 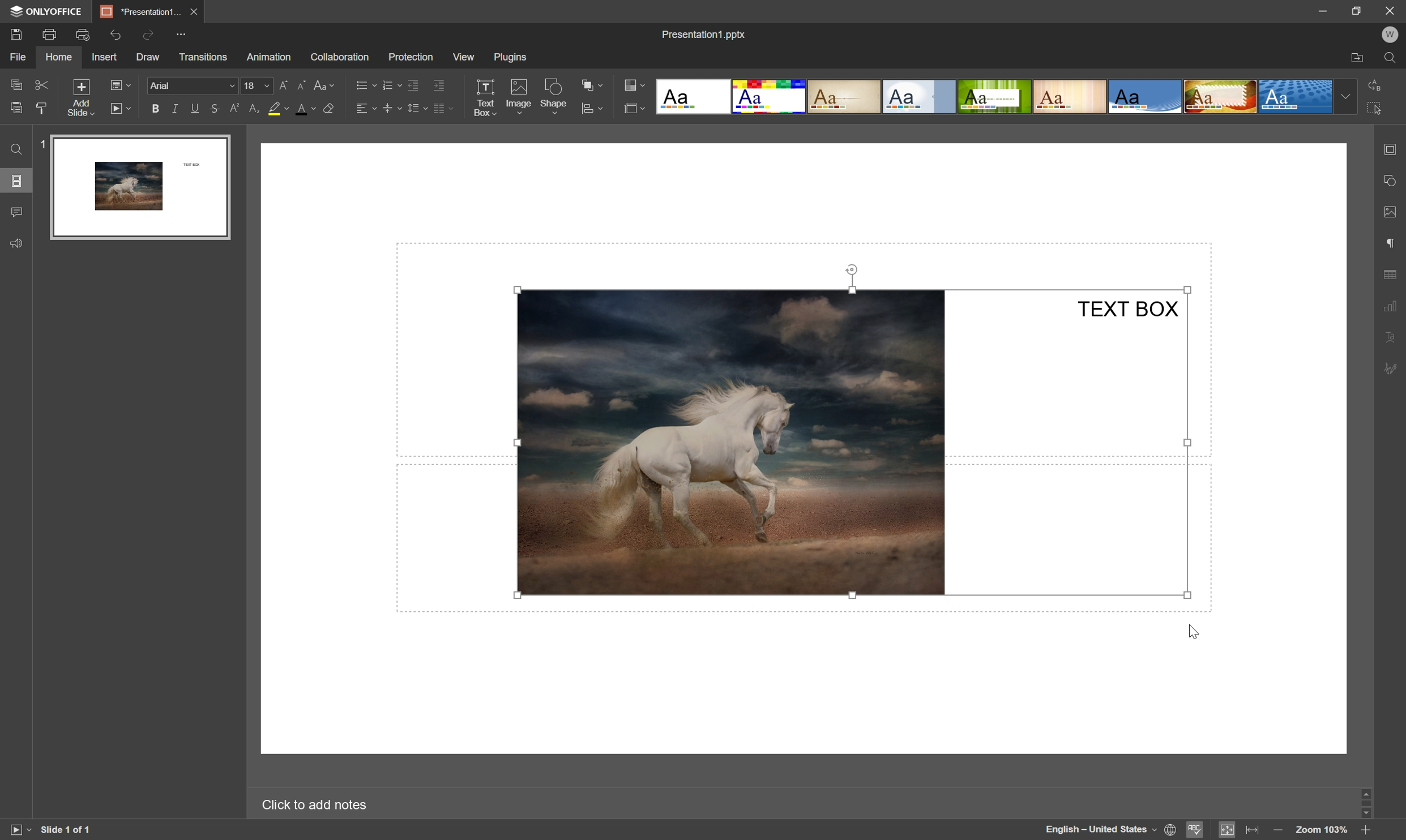 What do you see at coordinates (413, 86) in the screenshot?
I see `decrease indent` at bounding box center [413, 86].